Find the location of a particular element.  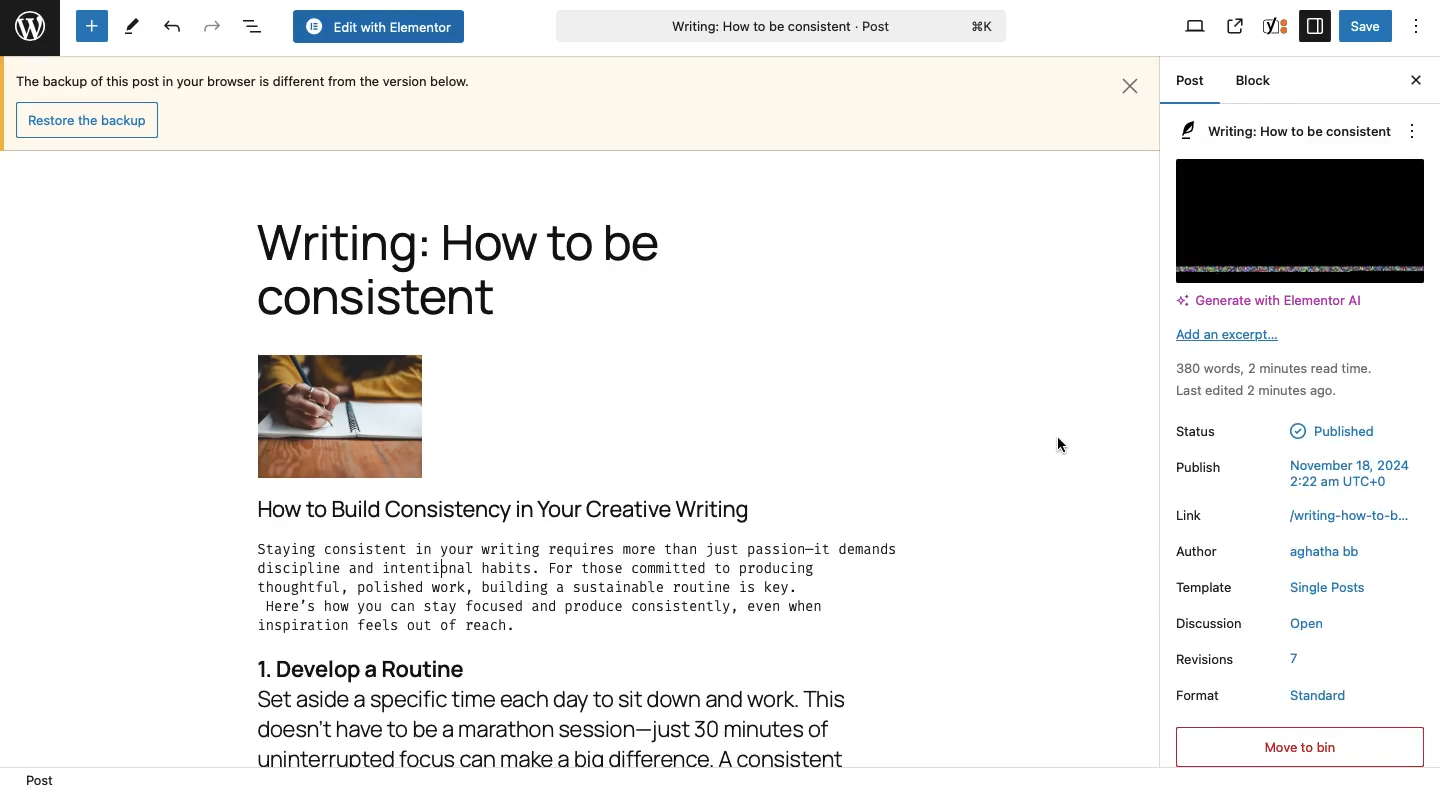

Blank Space is located at coordinates (1301, 218).